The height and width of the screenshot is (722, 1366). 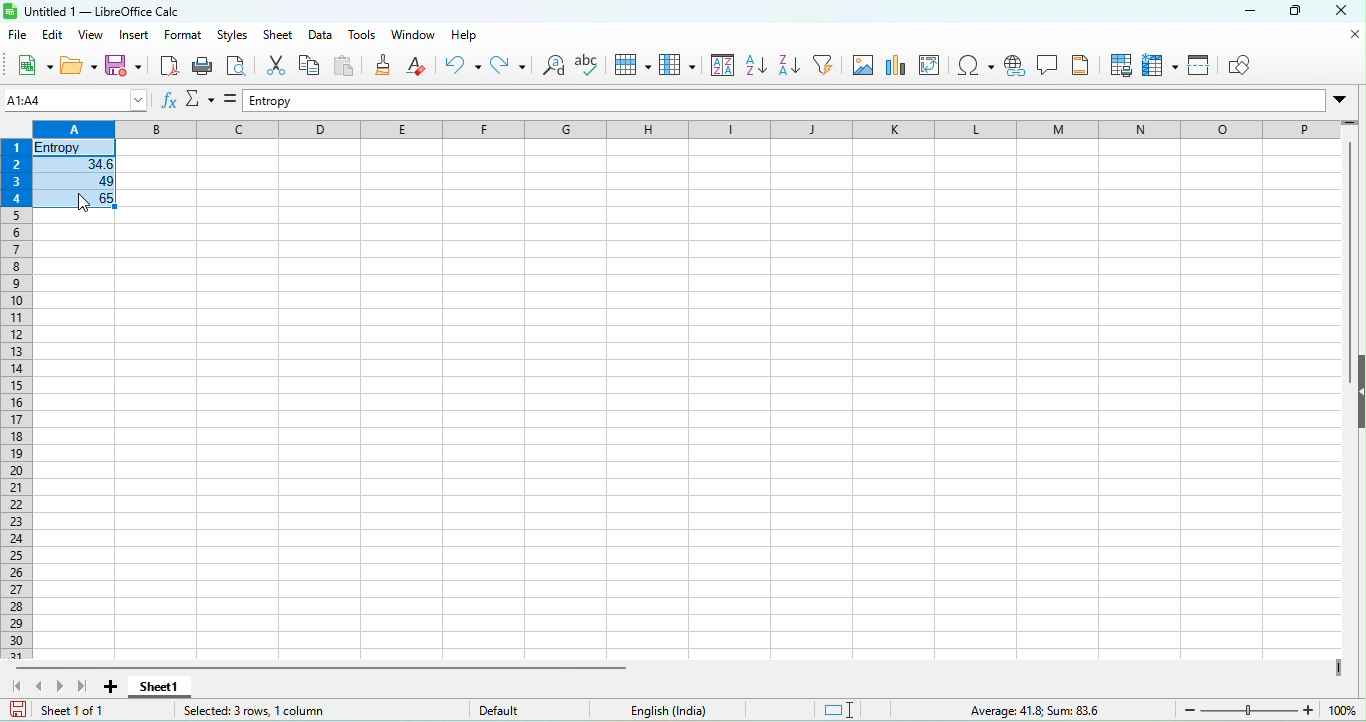 What do you see at coordinates (278, 37) in the screenshot?
I see `sheet` at bounding box center [278, 37].